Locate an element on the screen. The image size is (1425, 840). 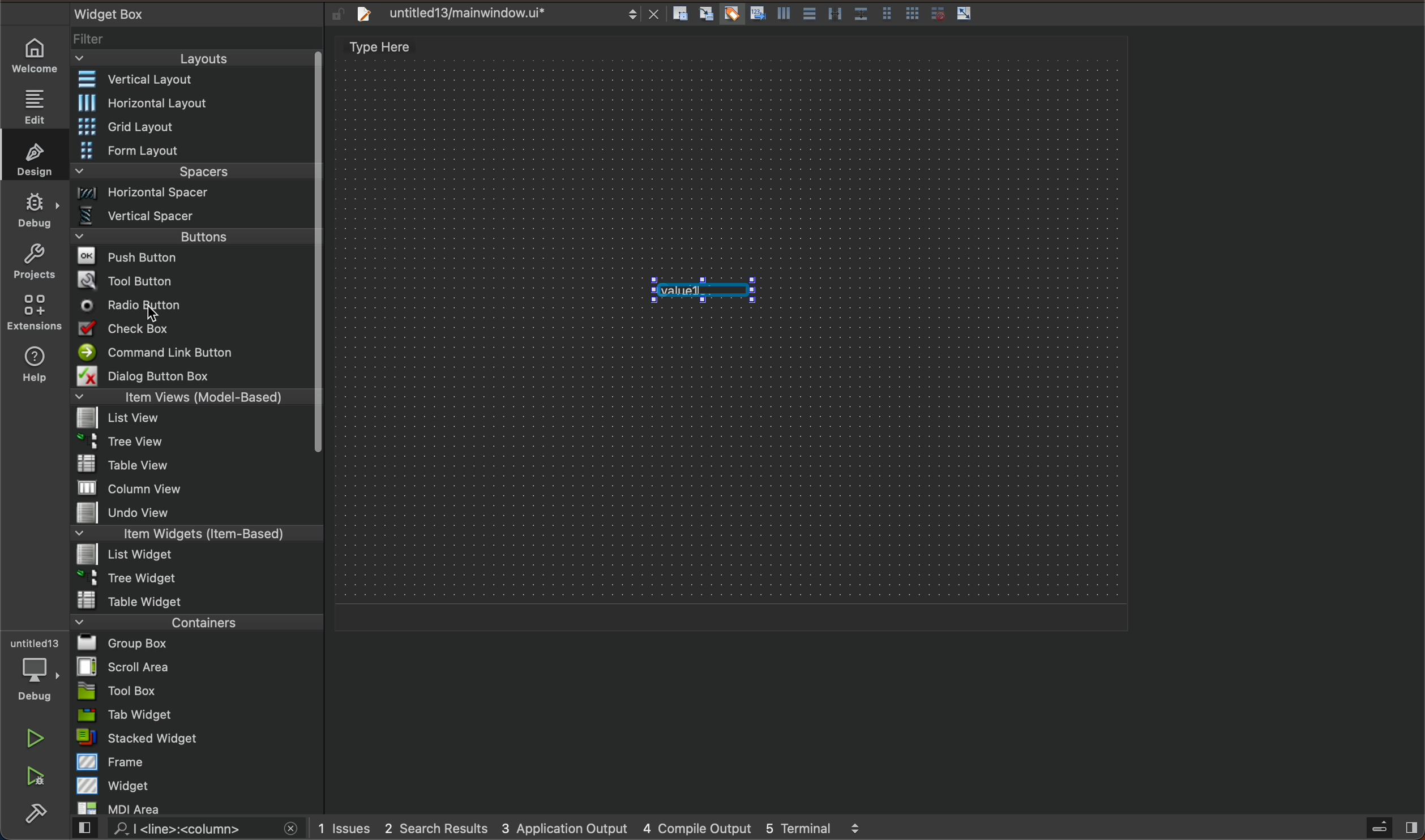
debug is located at coordinates (41, 671).